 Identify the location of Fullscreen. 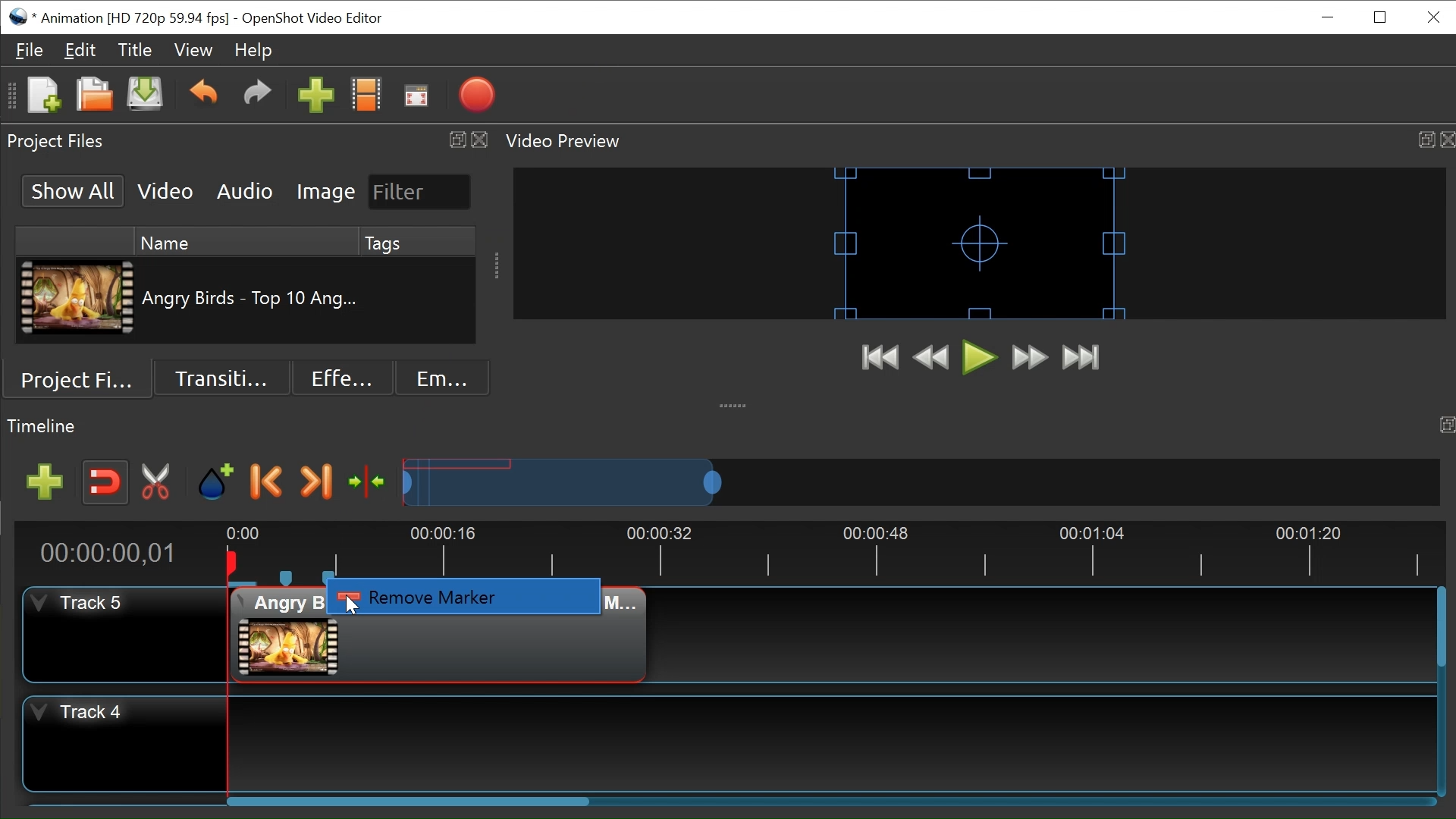
(416, 99).